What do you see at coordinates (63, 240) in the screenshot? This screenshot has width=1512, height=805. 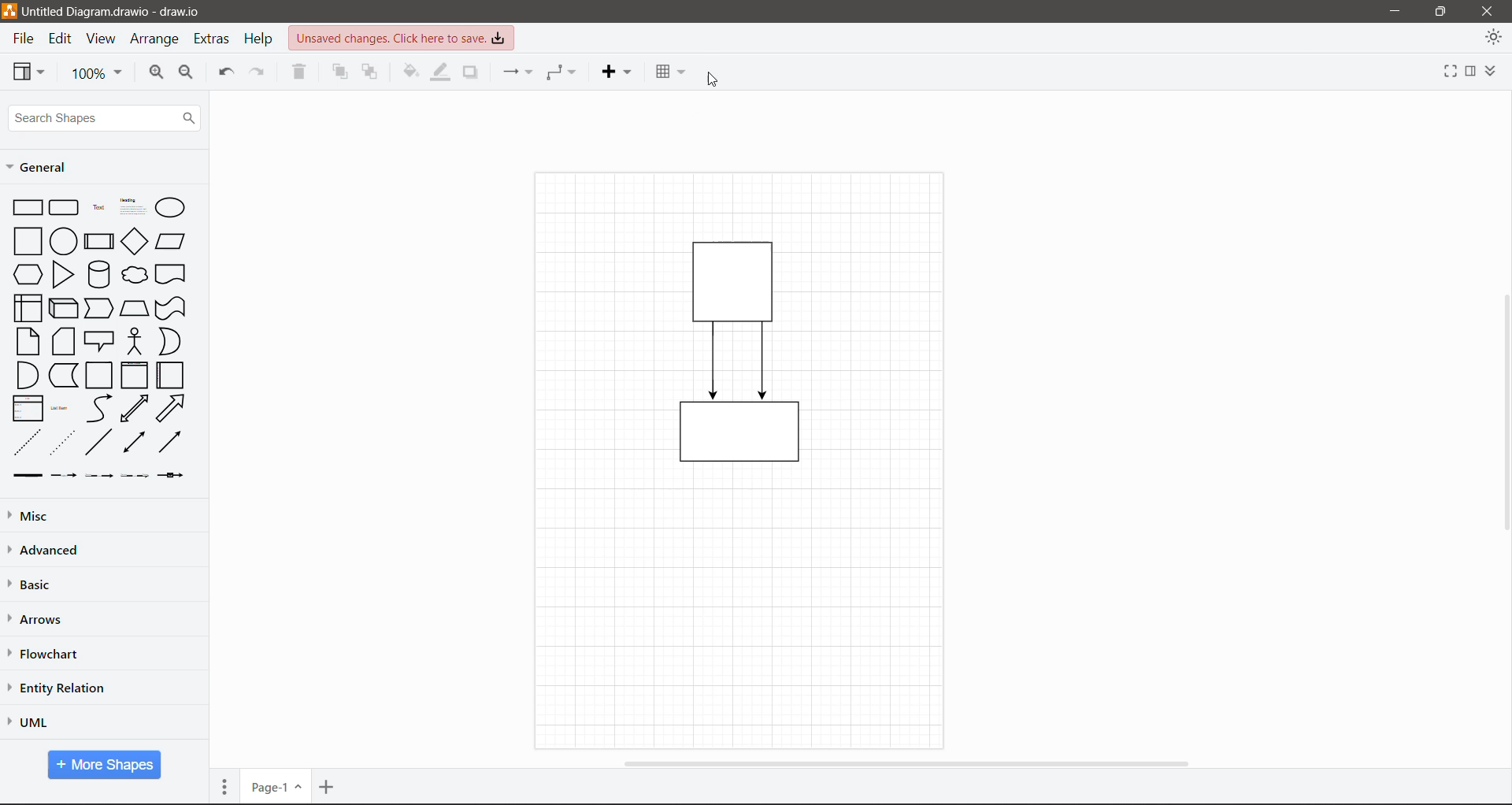 I see `Circle` at bounding box center [63, 240].